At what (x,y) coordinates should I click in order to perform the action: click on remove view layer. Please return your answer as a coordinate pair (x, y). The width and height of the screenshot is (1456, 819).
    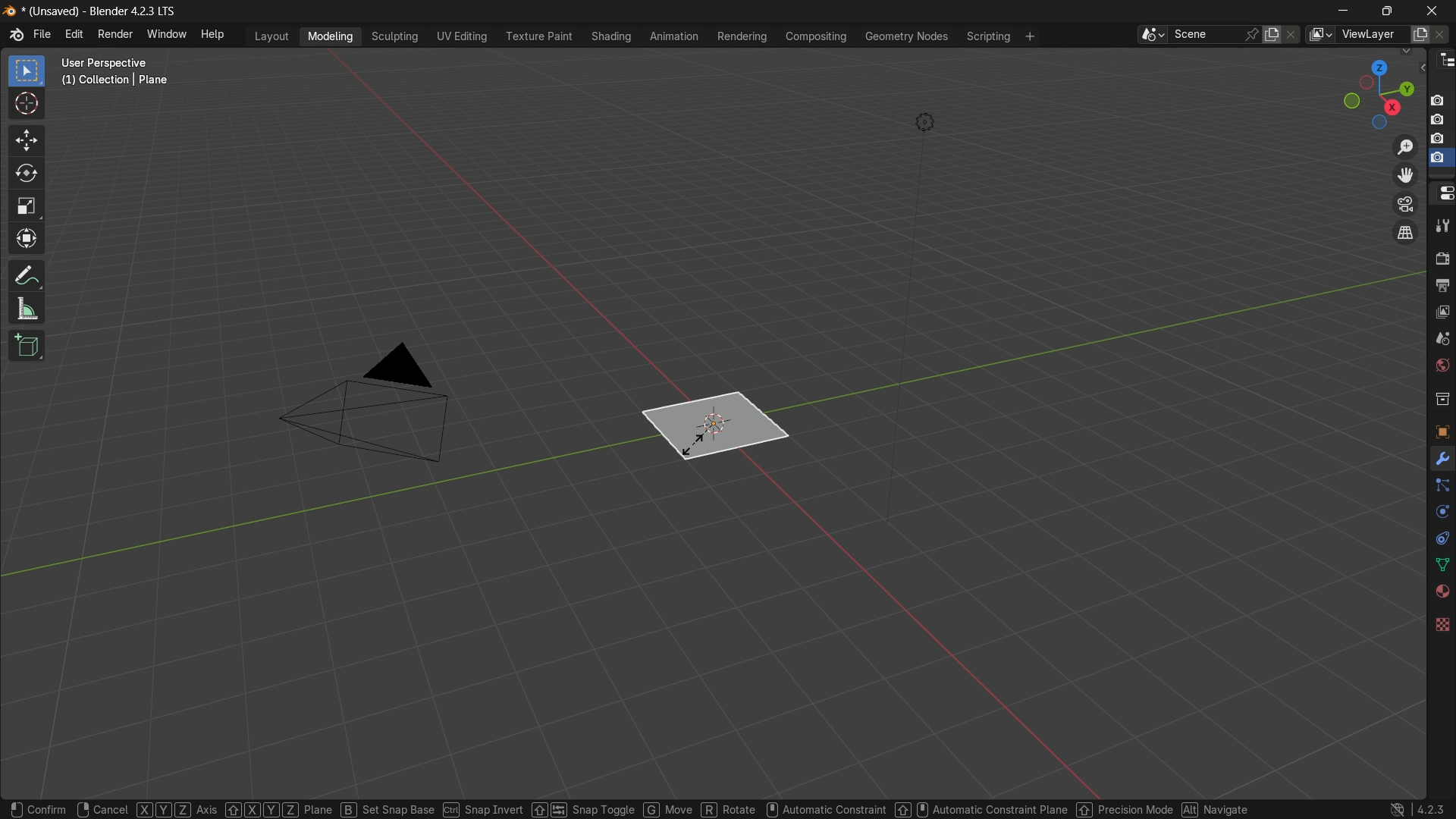
    Looking at the image, I should click on (1442, 36).